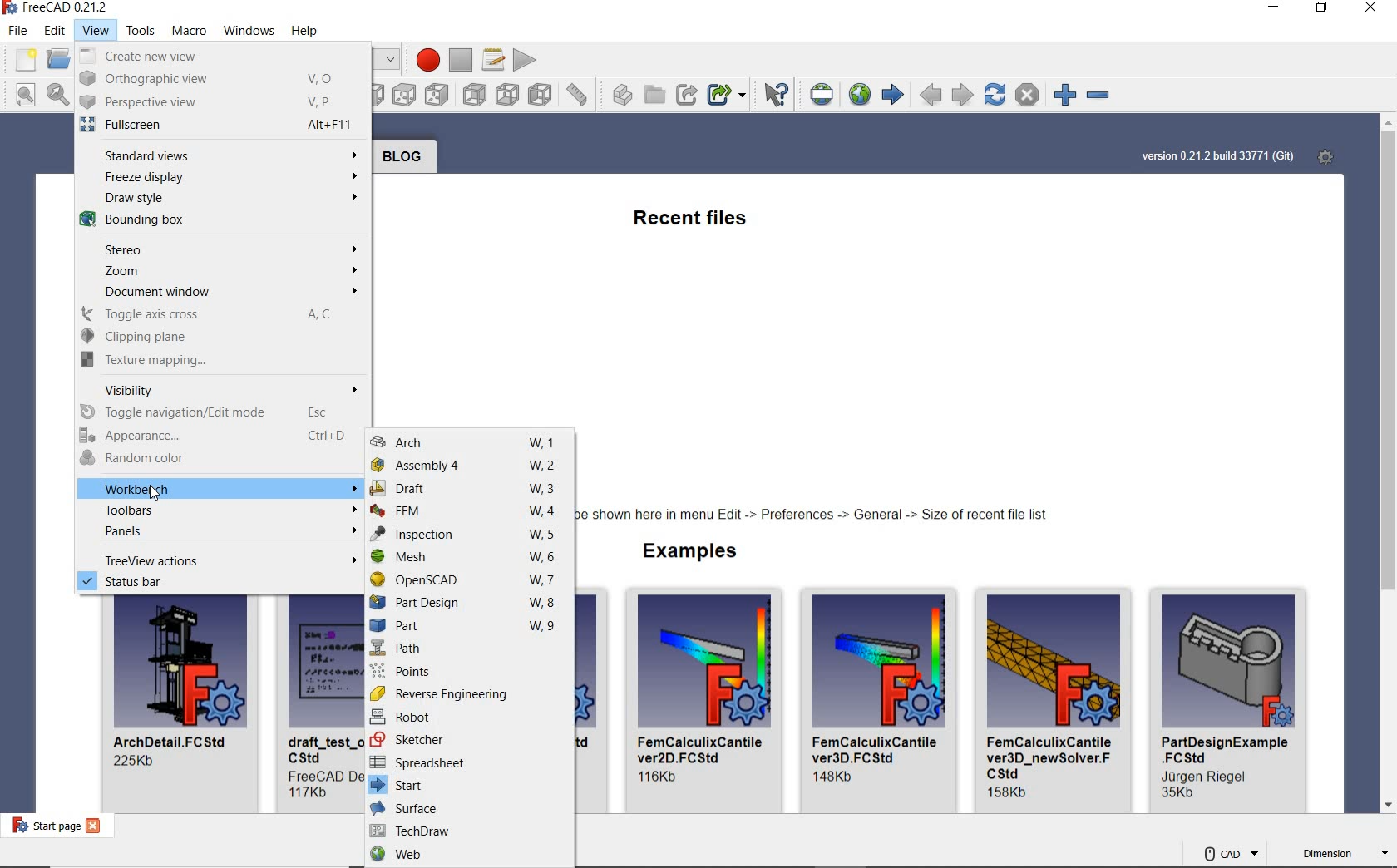 The image size is (1397, 868). I want to click on cad navigation style, so click(1230, 852).